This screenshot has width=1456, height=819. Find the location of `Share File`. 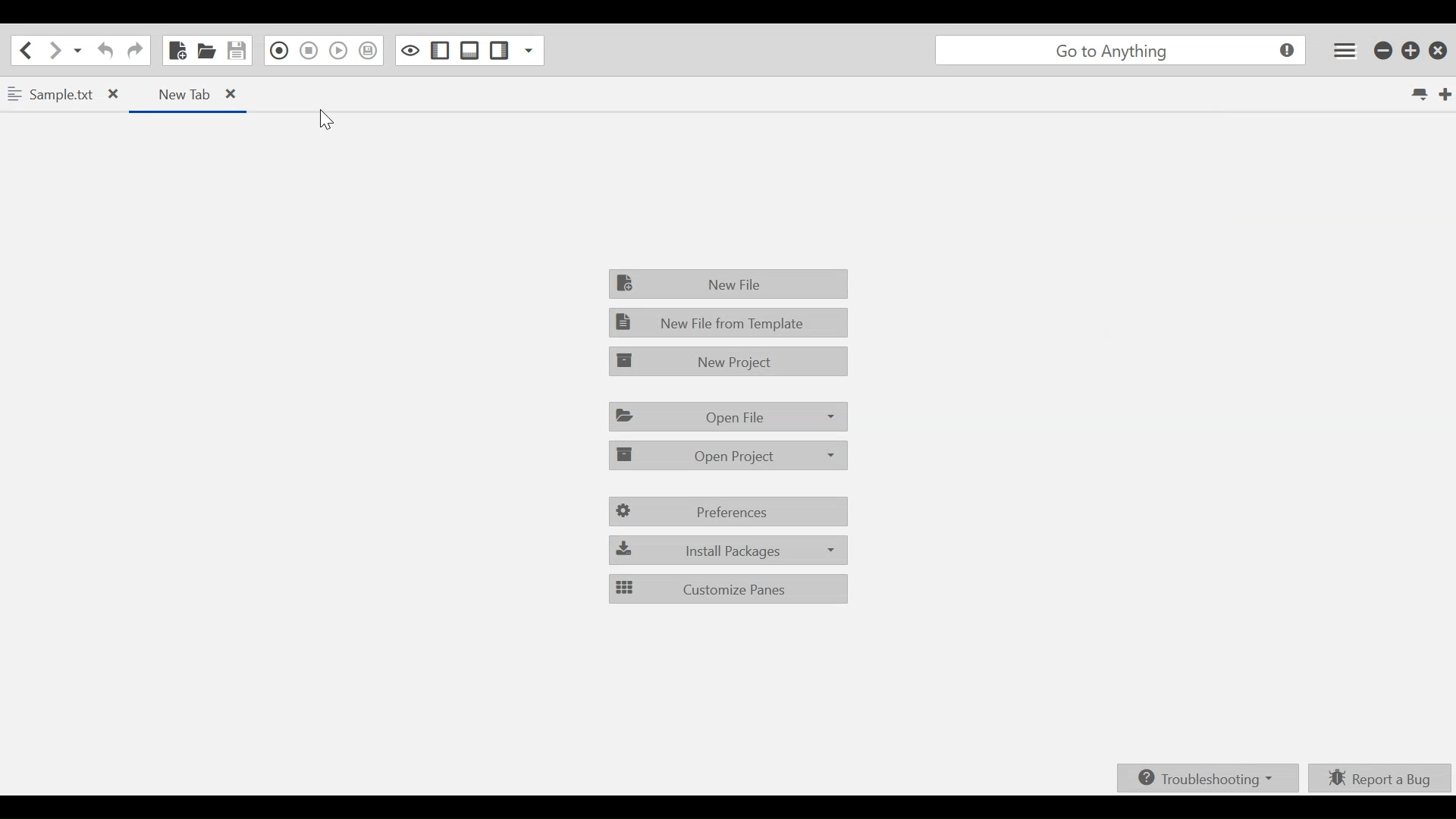

Share File is located at coordinates (78, 50).